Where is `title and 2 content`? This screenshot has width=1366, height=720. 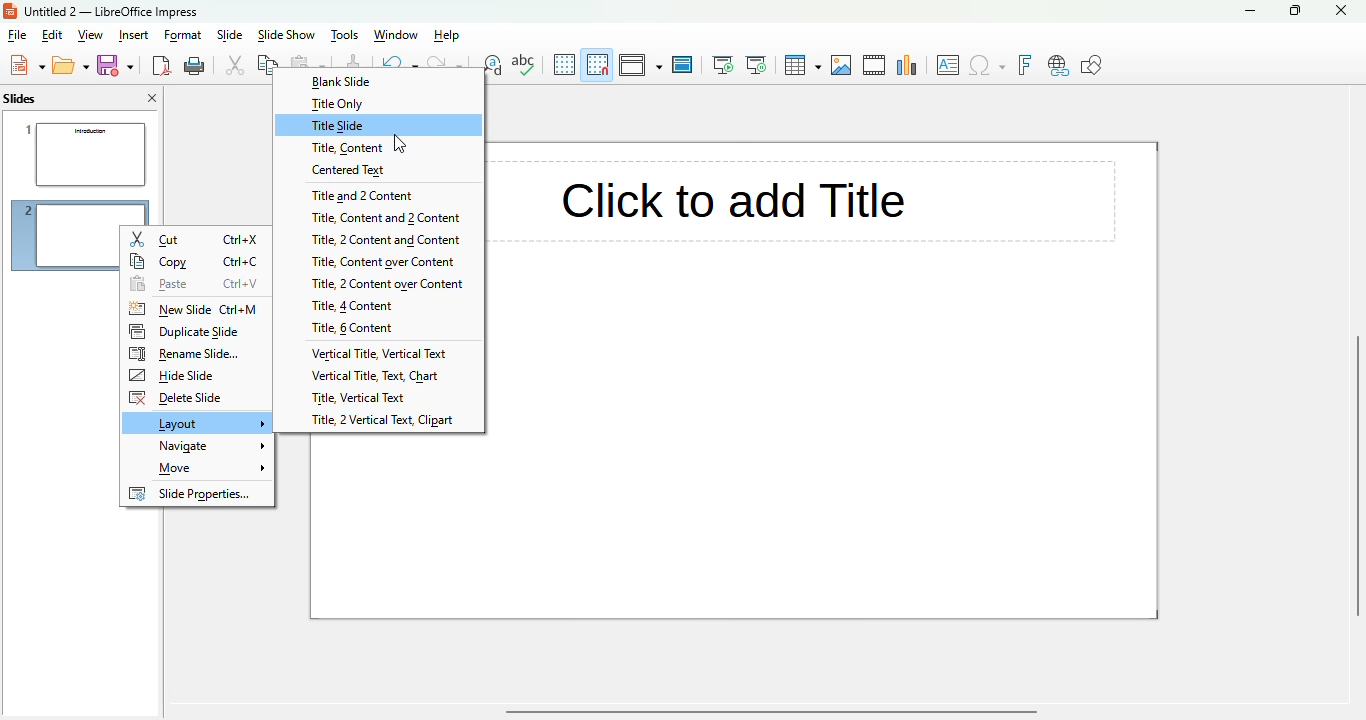 title and 2 content is located at coordinates (380, 193).